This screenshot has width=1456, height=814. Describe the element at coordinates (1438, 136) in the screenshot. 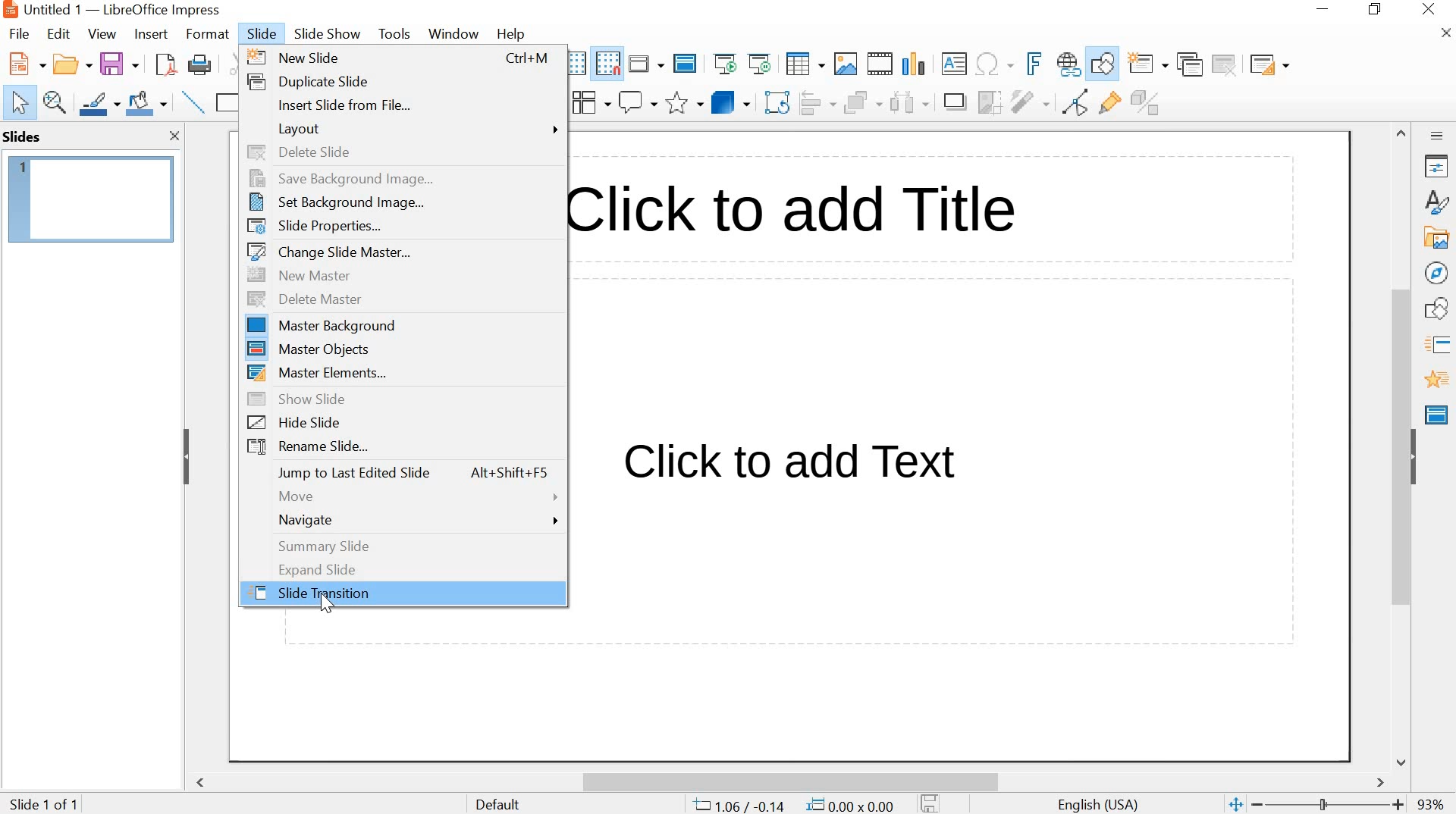

I see `SIDEBAR SETTINGS` at that location.